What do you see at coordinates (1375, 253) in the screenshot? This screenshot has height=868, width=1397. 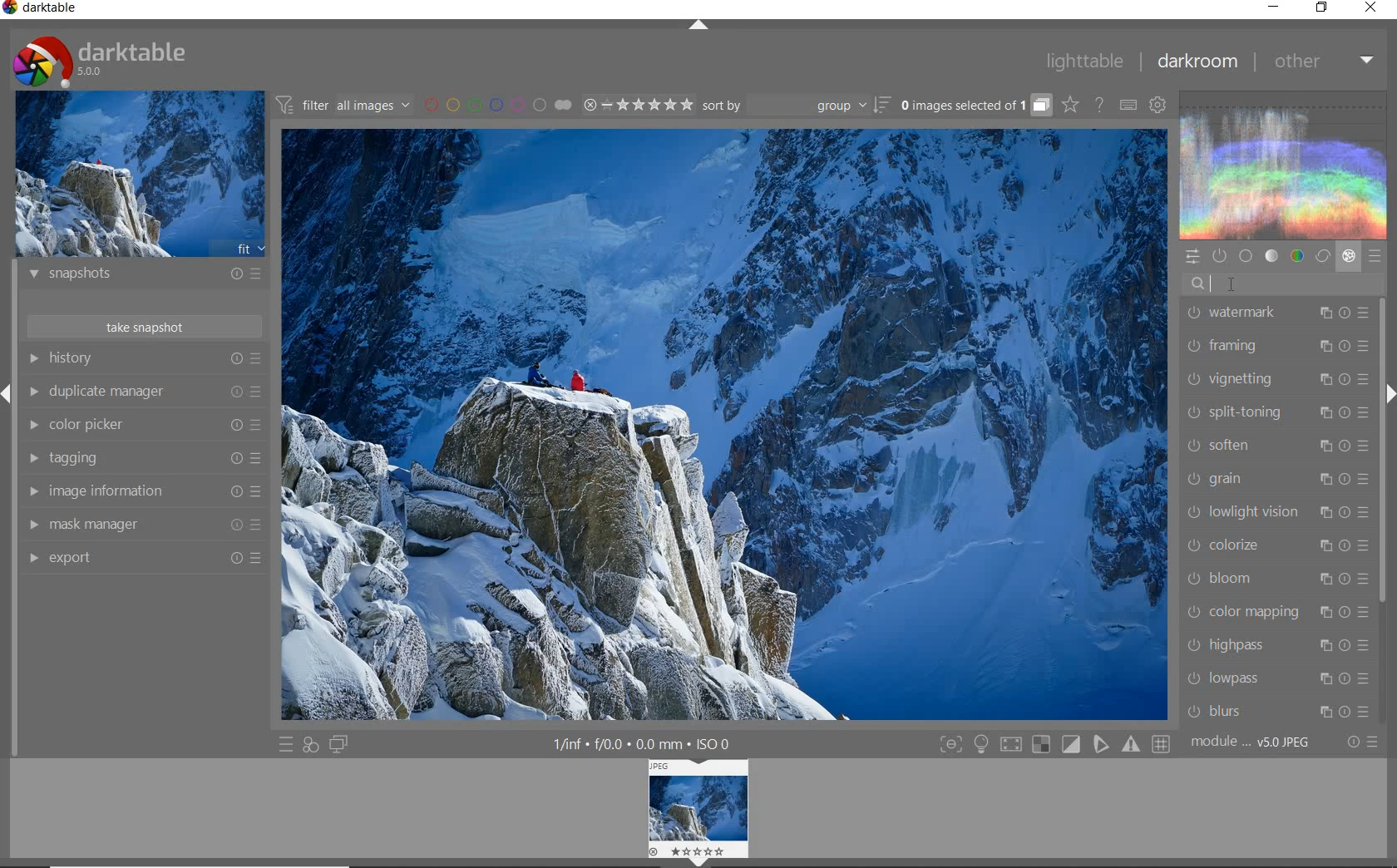 I see `presets` at bounding box center [1375, 253].